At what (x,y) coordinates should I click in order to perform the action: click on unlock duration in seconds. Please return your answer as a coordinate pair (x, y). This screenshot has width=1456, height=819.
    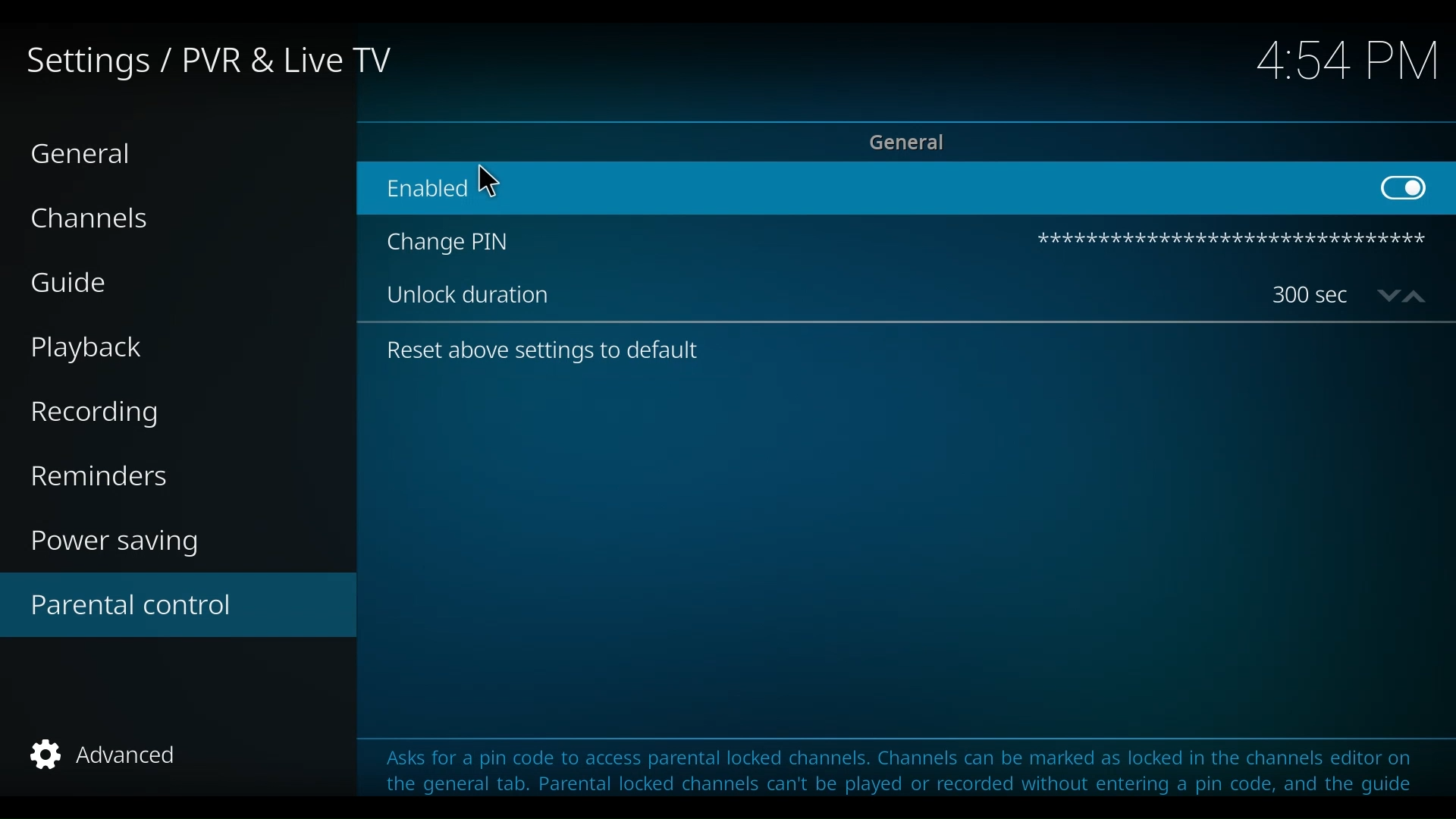
    Looking at the image, I should click on (1313, 293).